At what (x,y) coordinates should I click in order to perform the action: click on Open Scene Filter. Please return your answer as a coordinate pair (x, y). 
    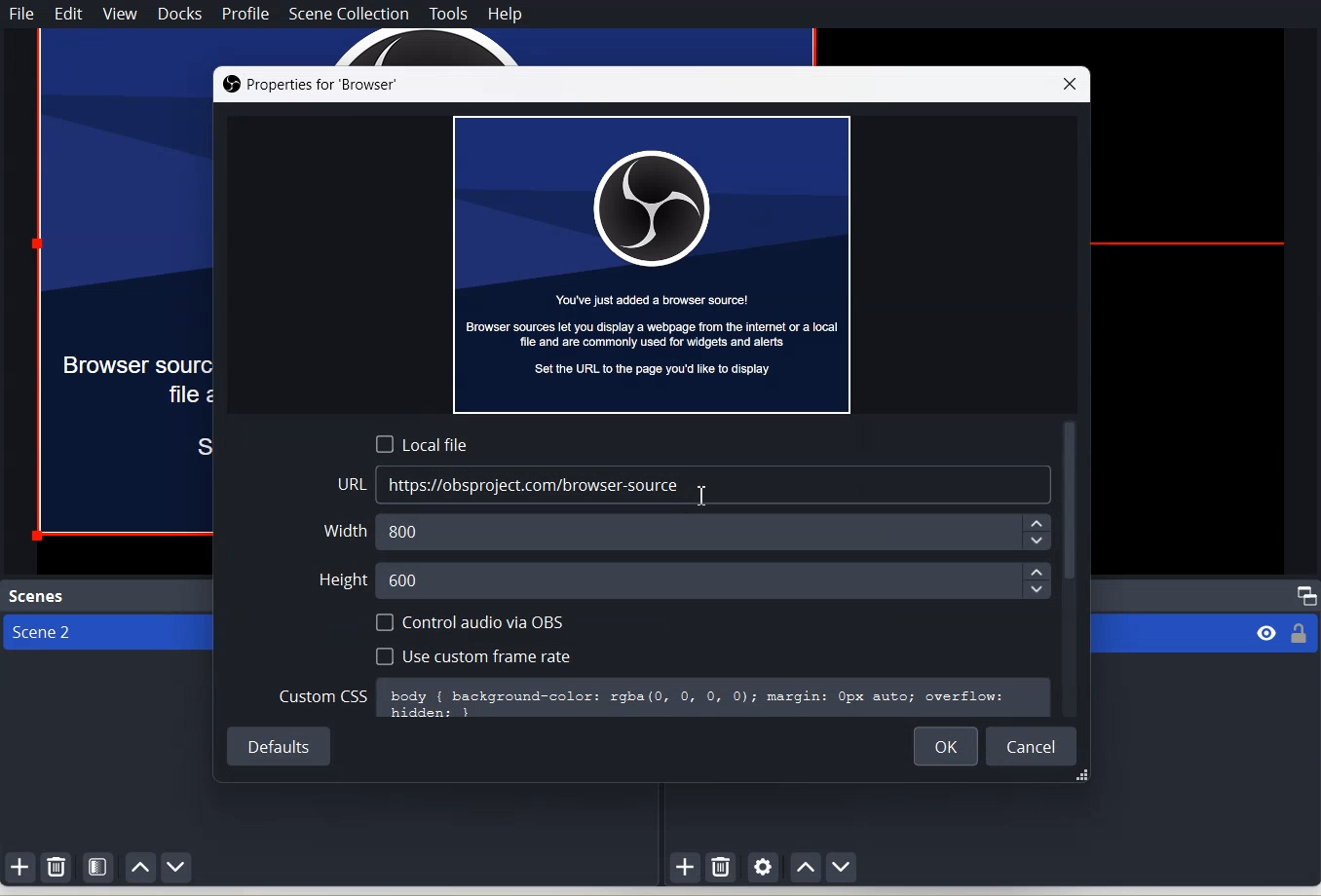
    Looking at the image, I should click on (99, 866).